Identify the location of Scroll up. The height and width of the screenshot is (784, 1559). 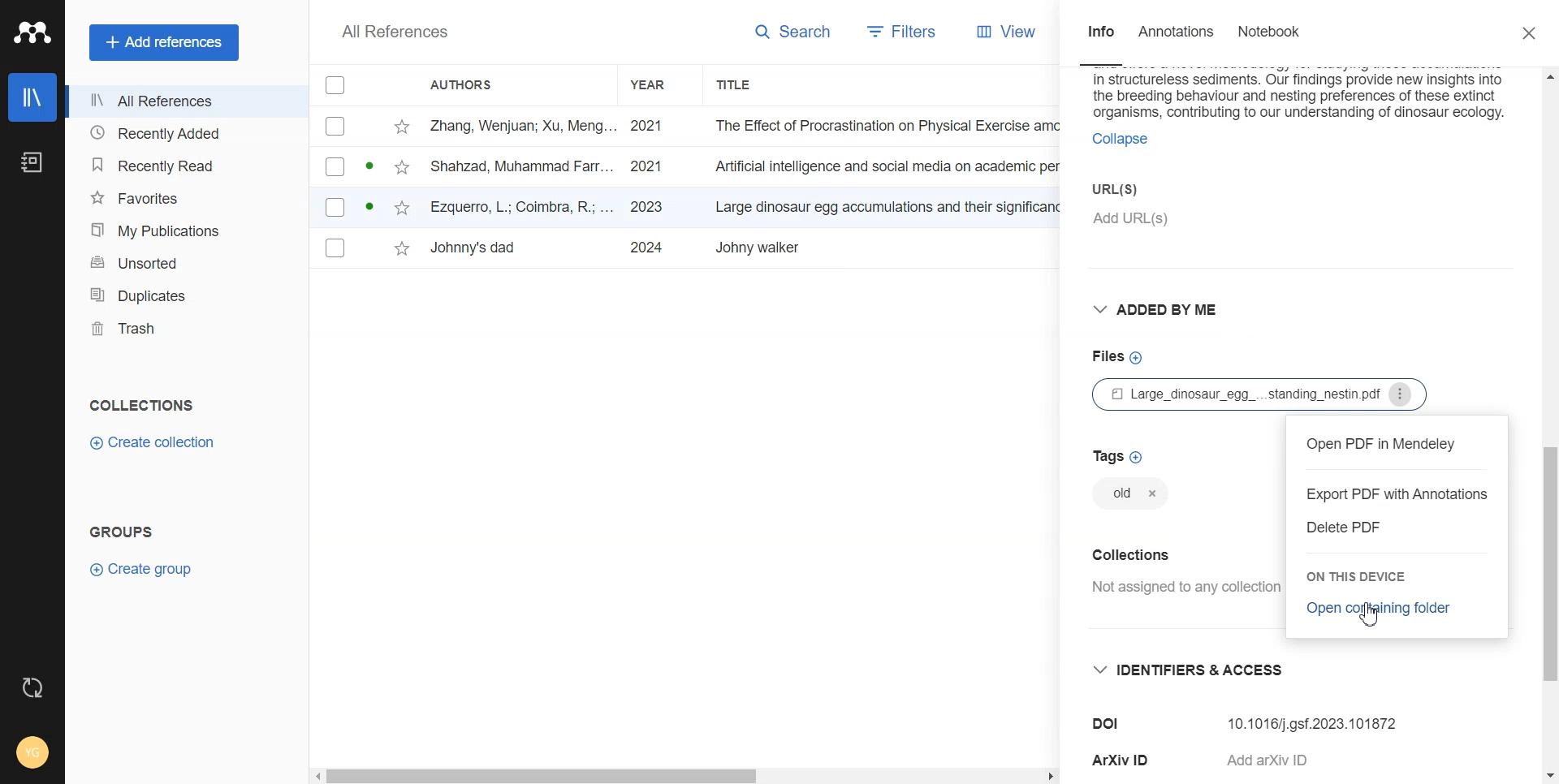
(1547, 75).